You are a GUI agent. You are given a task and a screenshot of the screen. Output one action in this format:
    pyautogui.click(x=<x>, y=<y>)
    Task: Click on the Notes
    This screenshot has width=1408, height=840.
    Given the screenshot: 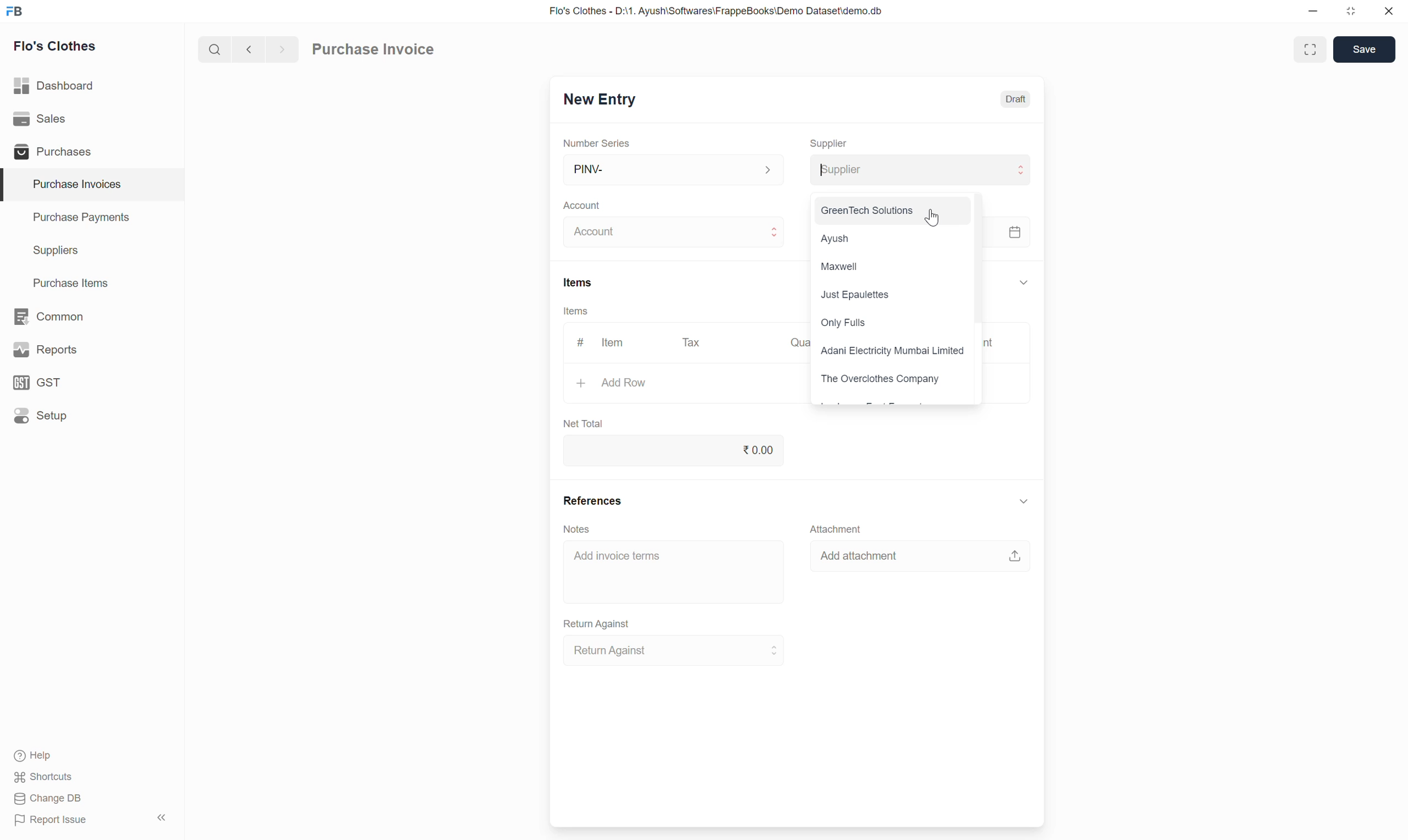 What is the action you would take?
    pyautogui.click(x=576, y=529)
    